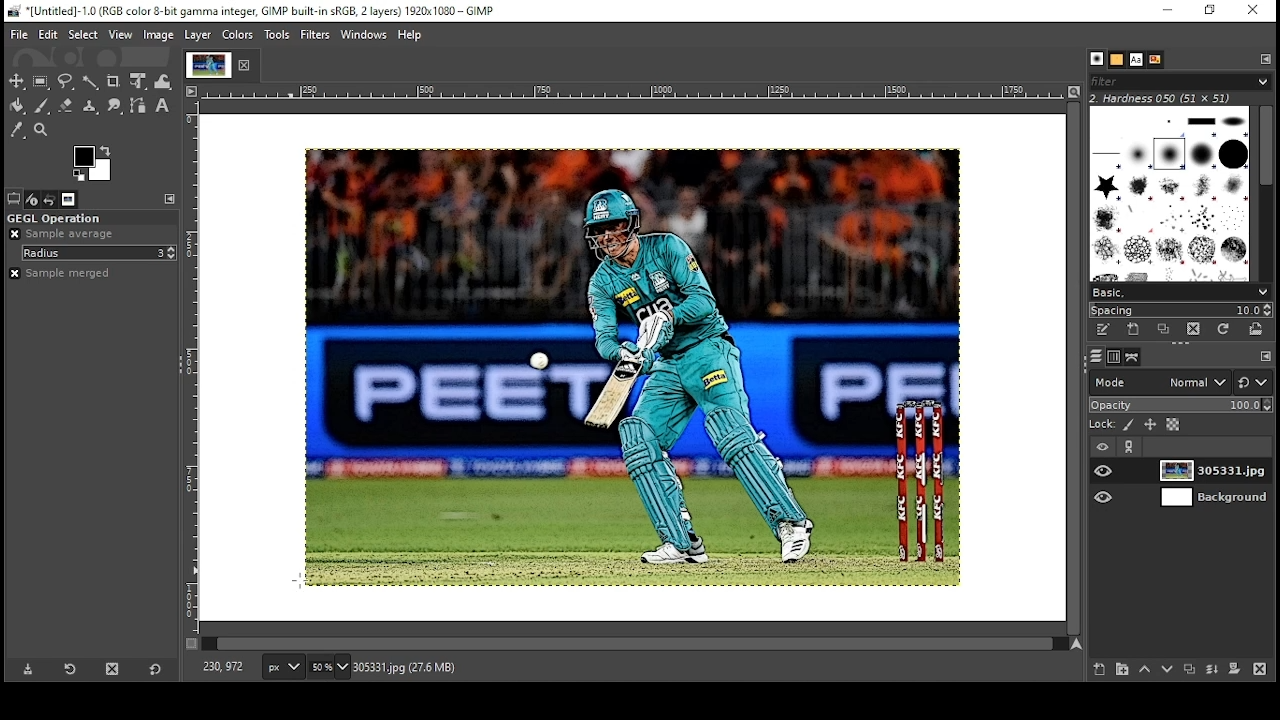 Image resolution: width=1280 pixels, height=720 pixels. I want to click on create a new brush, so click(1134, 329).